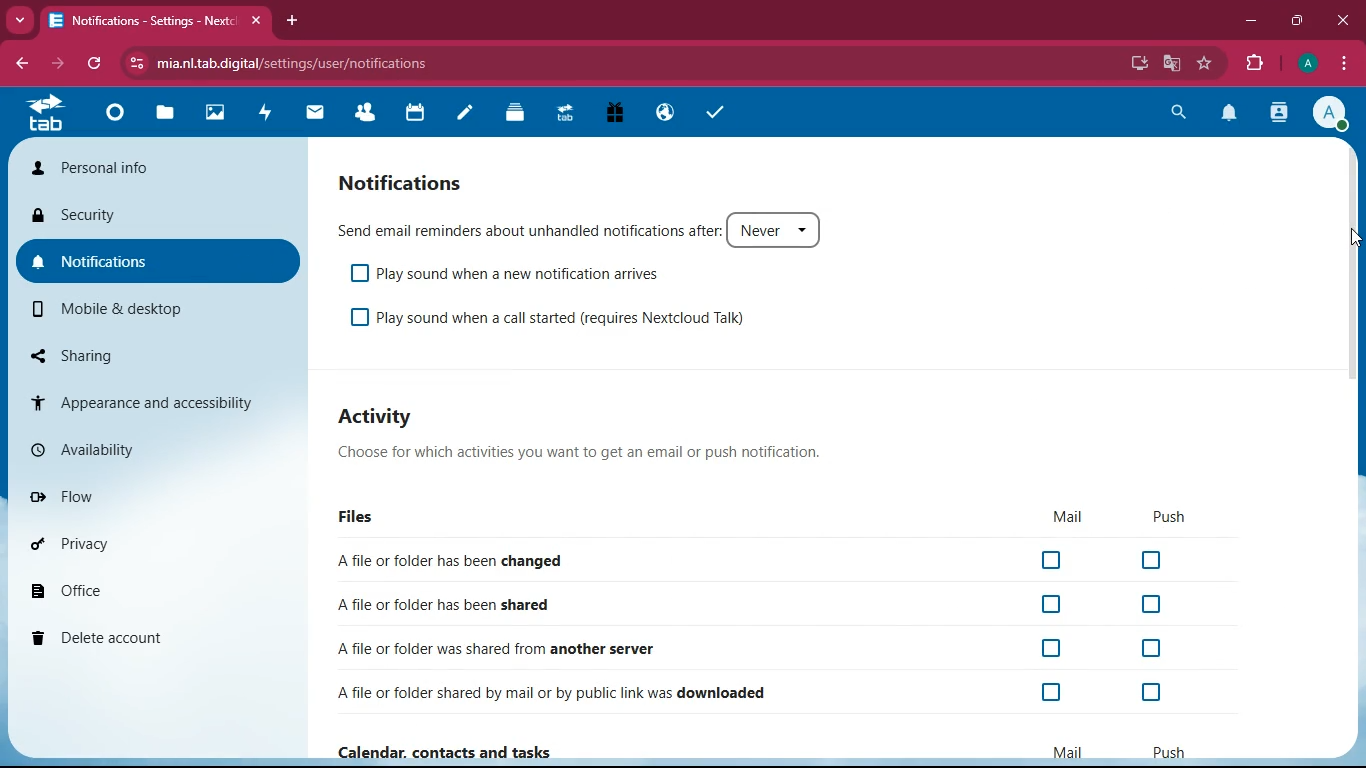  I want to click on notifications, so click(403, 183).